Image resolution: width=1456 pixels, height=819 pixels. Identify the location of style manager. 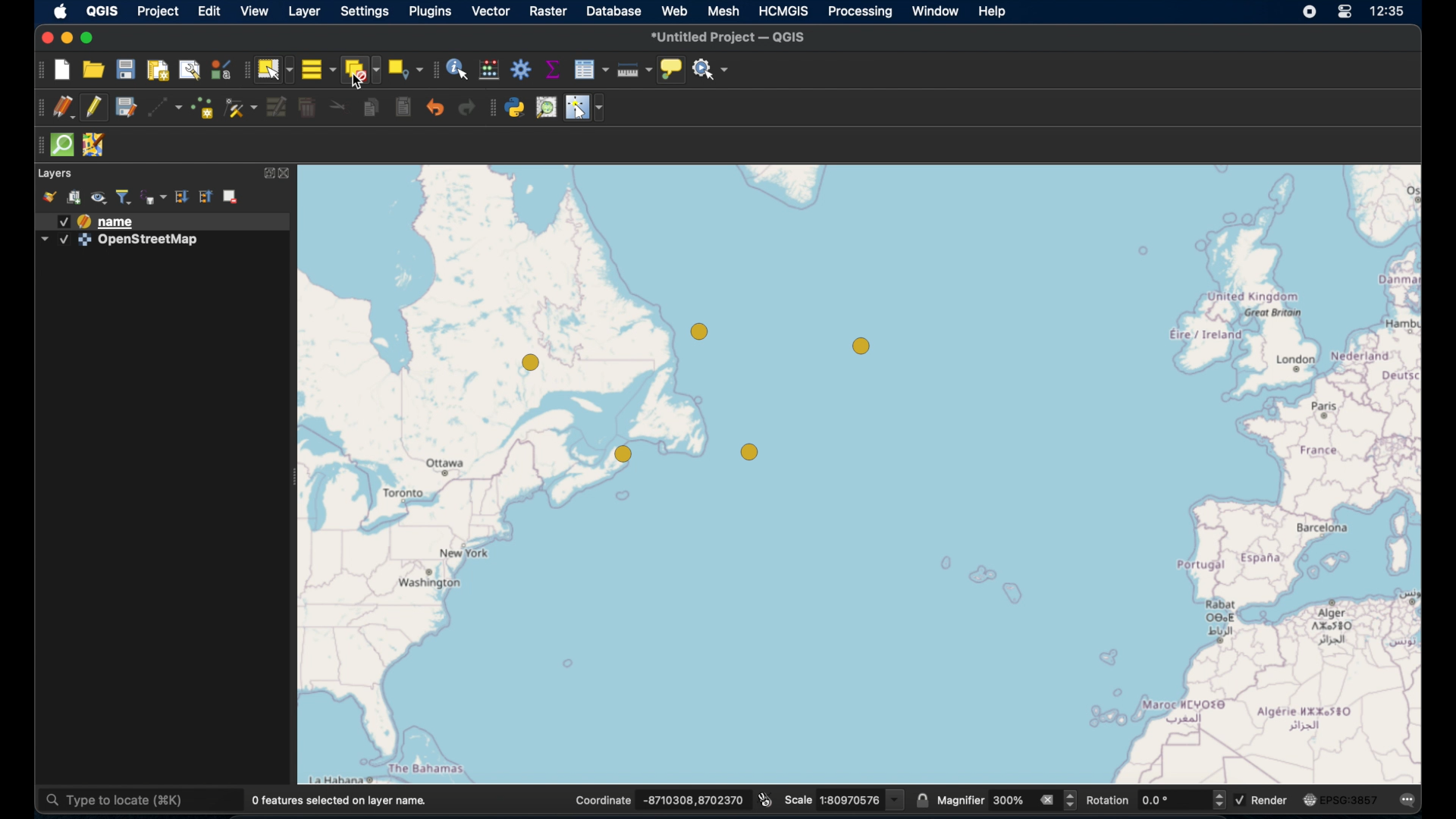
(220, 71).